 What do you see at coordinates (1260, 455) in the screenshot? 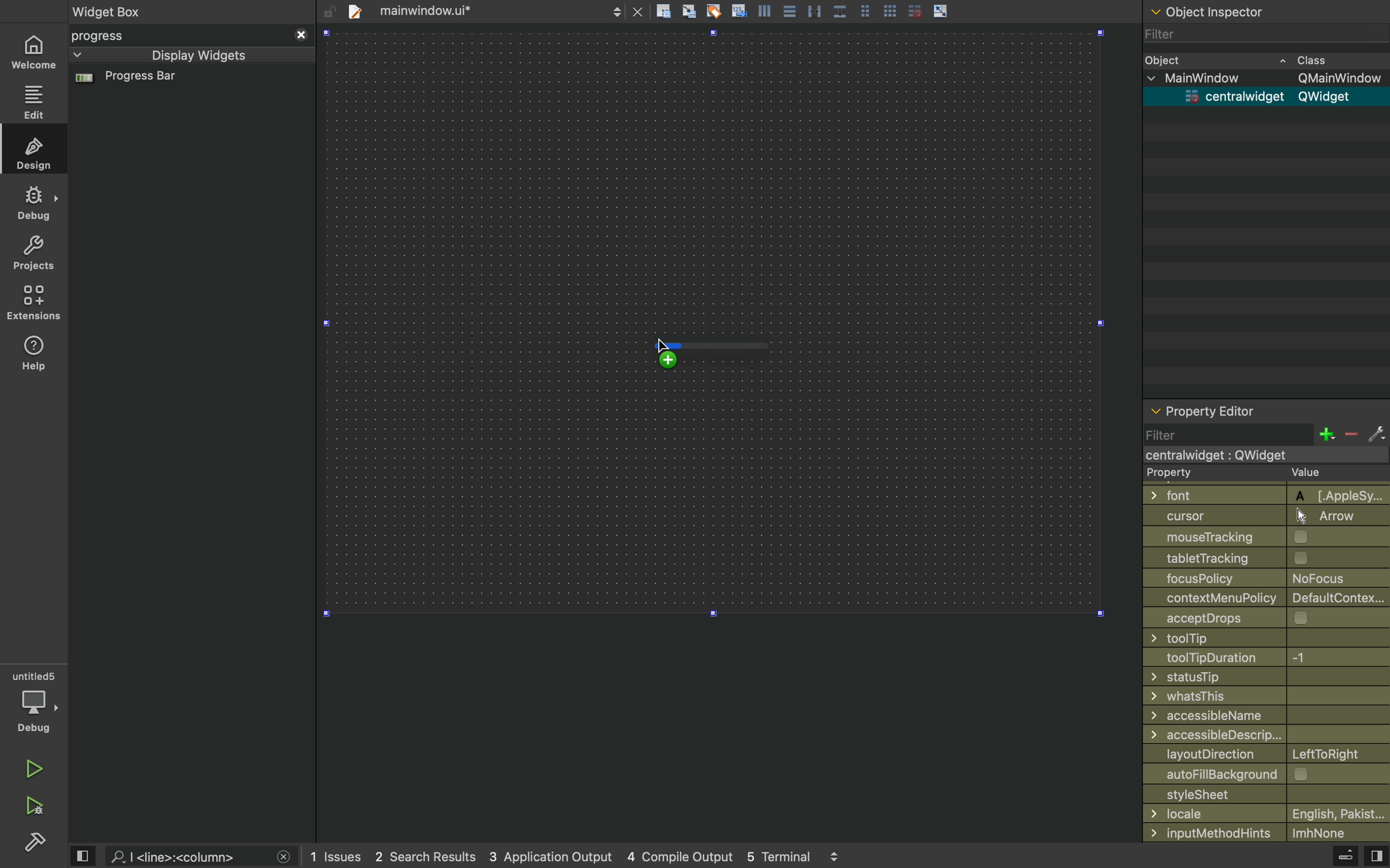
I see `centrawidget` at bounding box center [1260, 455].